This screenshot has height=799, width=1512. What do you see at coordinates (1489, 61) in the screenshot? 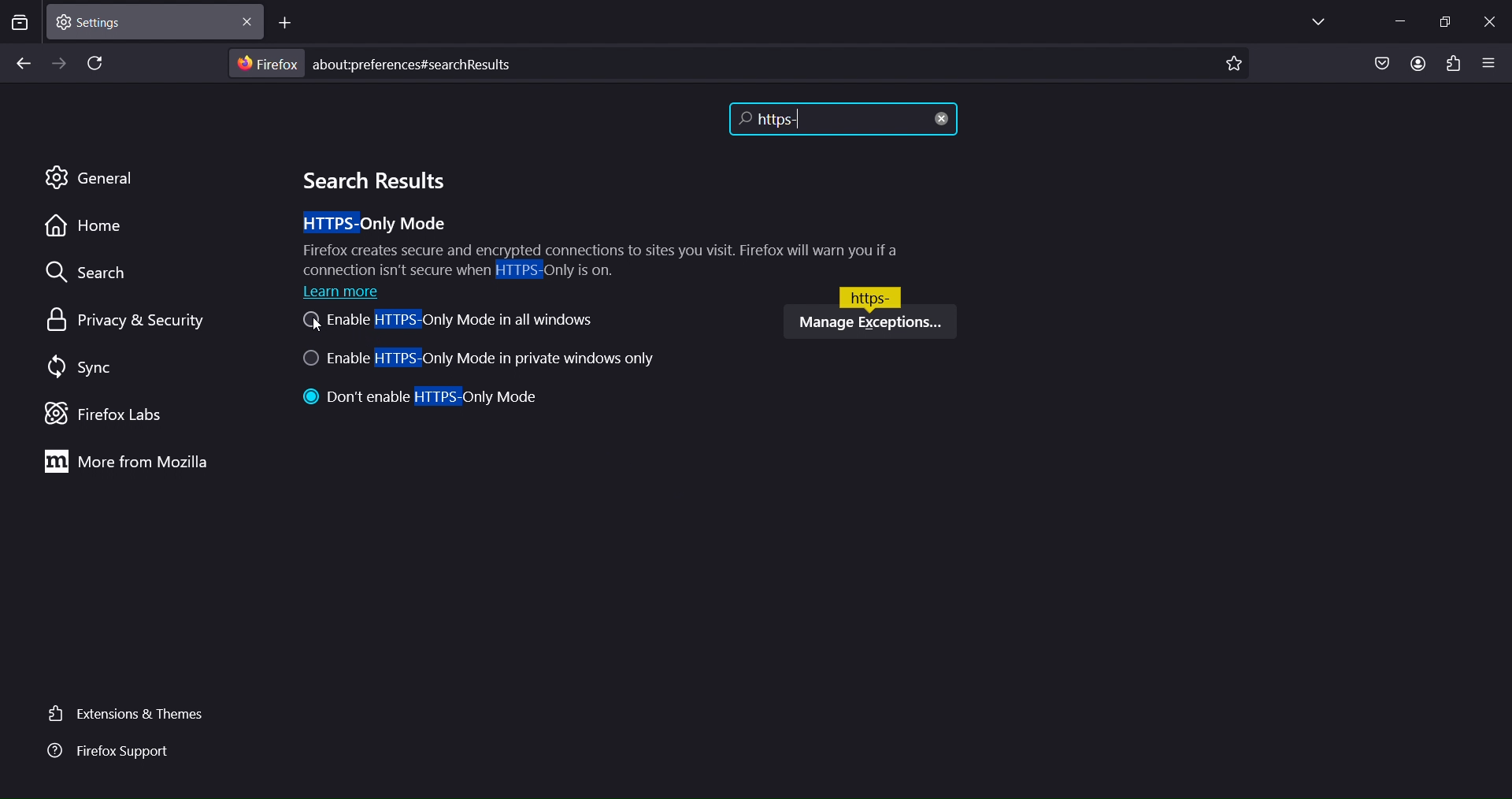
I see `open applicationmenu` at bounding box center [1489, 61].